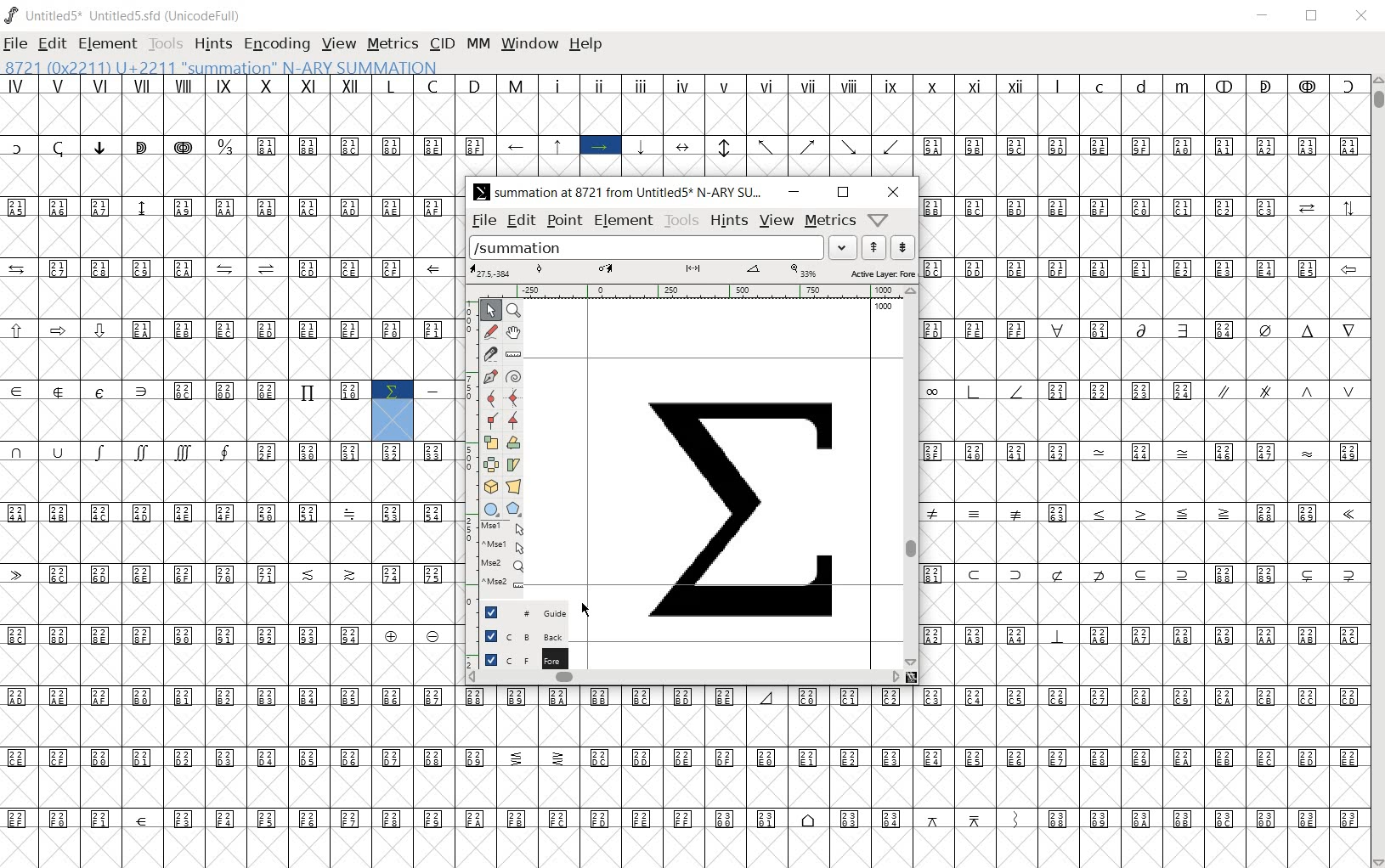 Image resolution: width=1385 pixels, height=868 pixels. I want to click on summation at 8721 from Untitled5 N-ARY SUM..., so click(622, 192).